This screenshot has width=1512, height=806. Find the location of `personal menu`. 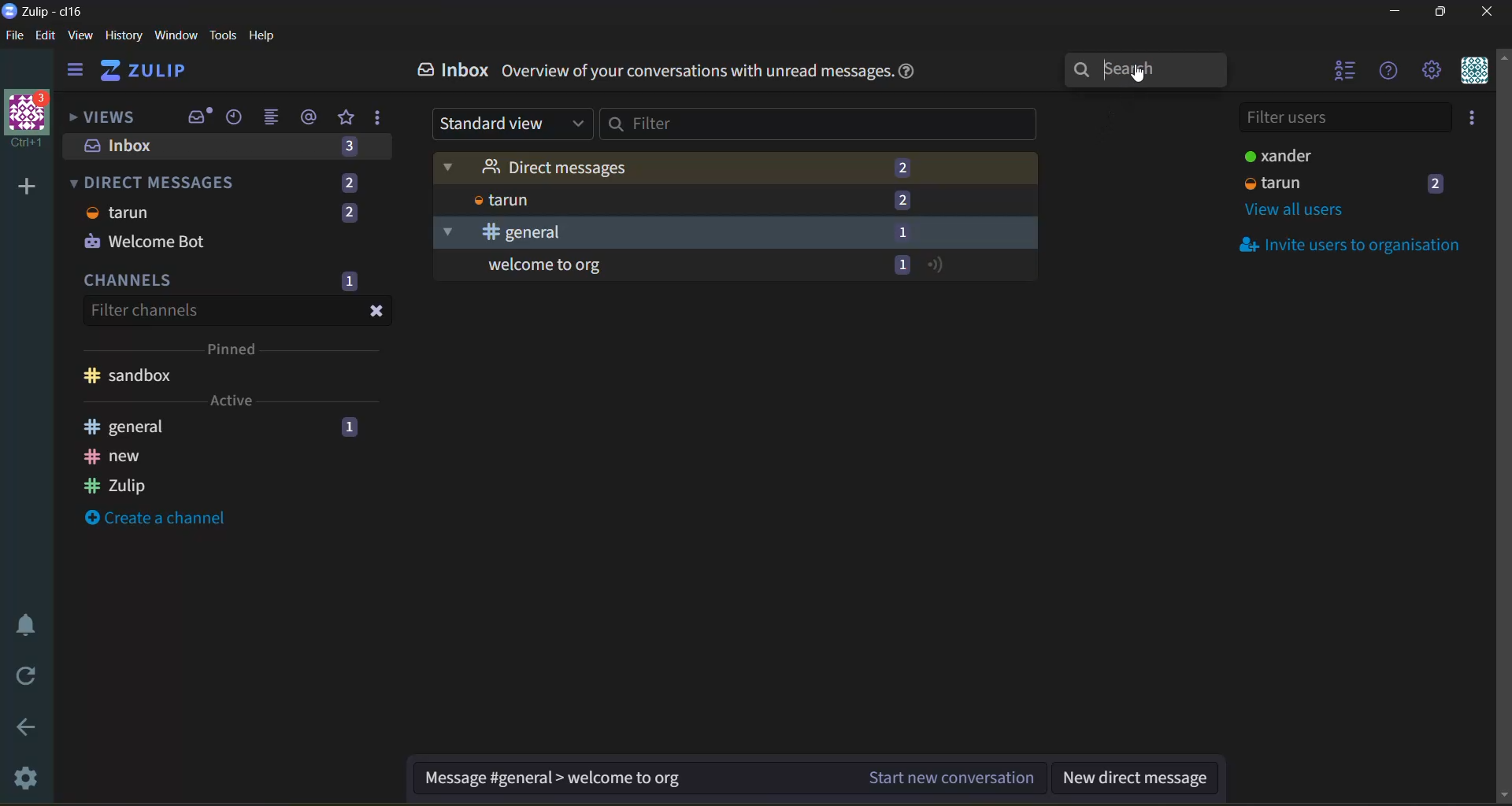

personal menu is located at coordinates (1475, 71).